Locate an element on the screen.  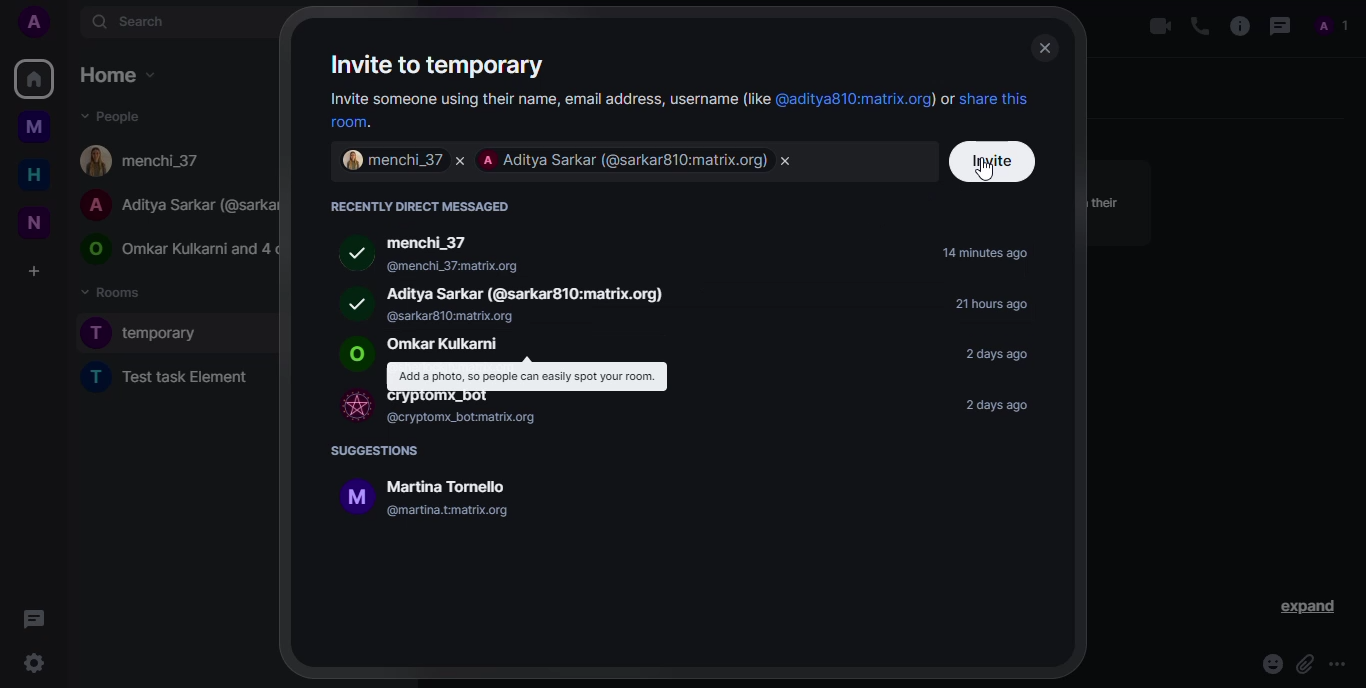
2 days ago is located at coordinates (1004, 406).